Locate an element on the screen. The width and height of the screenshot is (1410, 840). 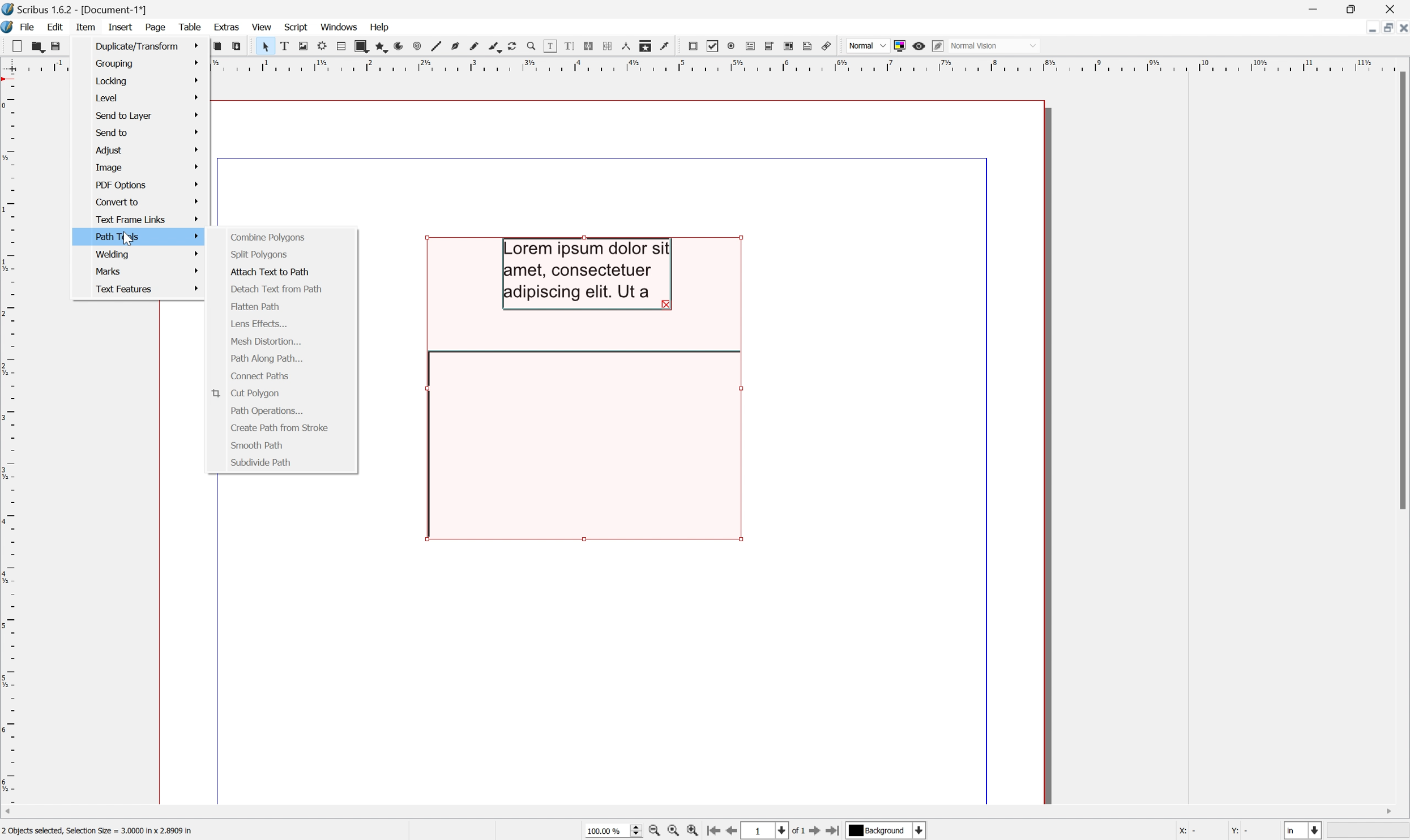
File is located at coordinates (25, 27).